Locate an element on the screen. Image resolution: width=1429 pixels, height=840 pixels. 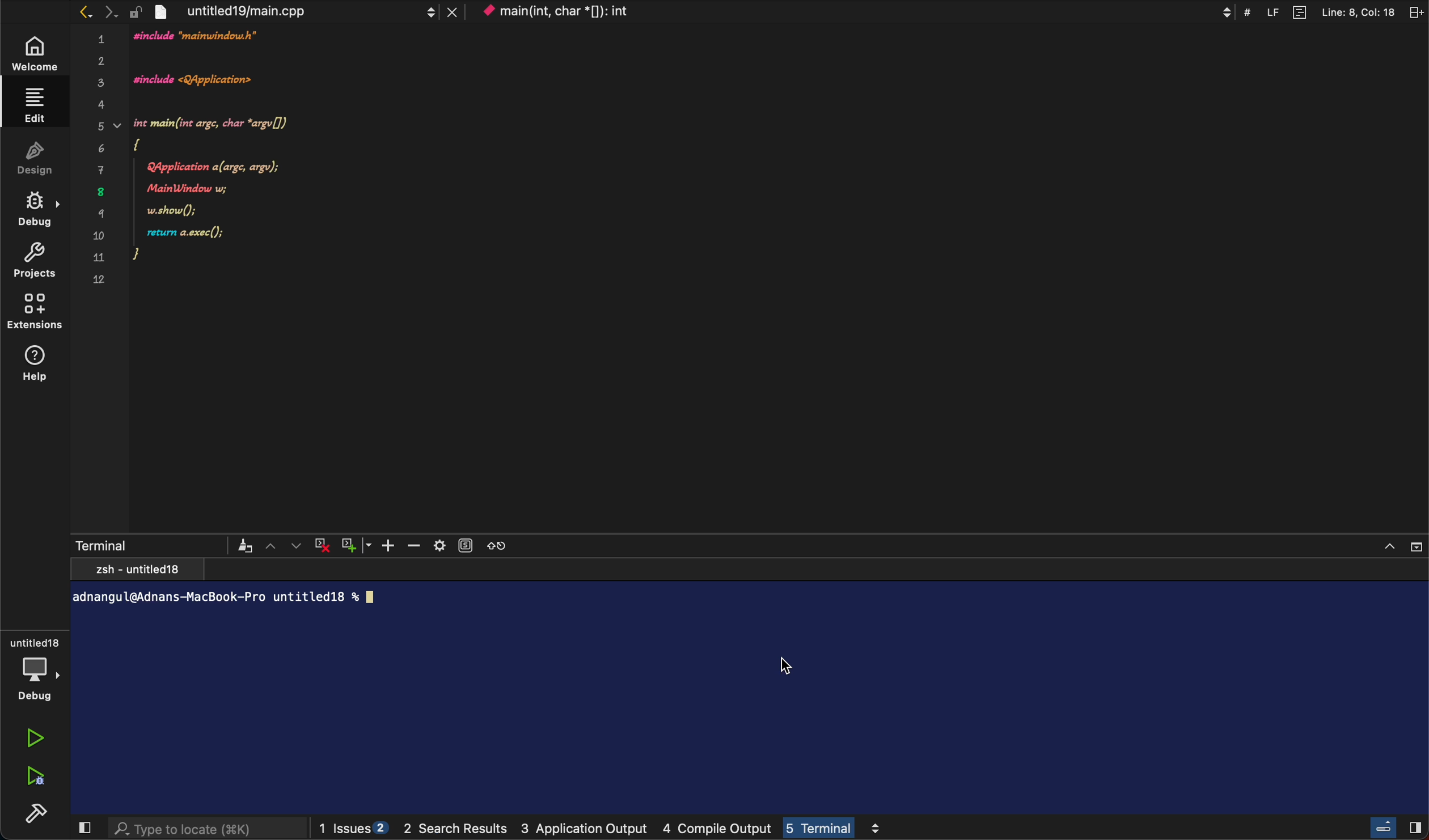
help is located at coordinates (40, 365).